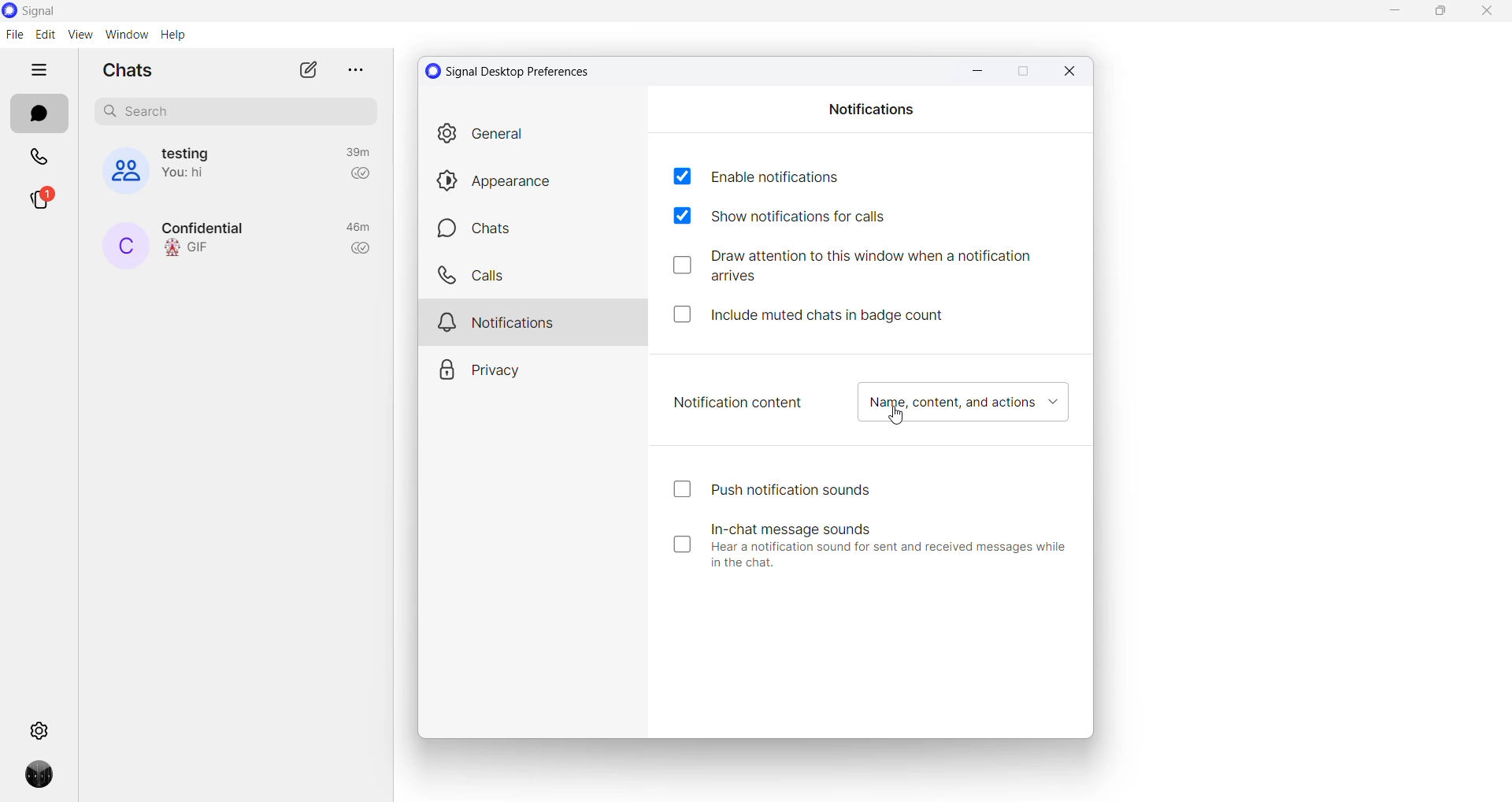 The height and width of the screenshot is (802, 1512). Describe the element at coordinates (739, 402) in the screenshot. I see `notification content` at that location.